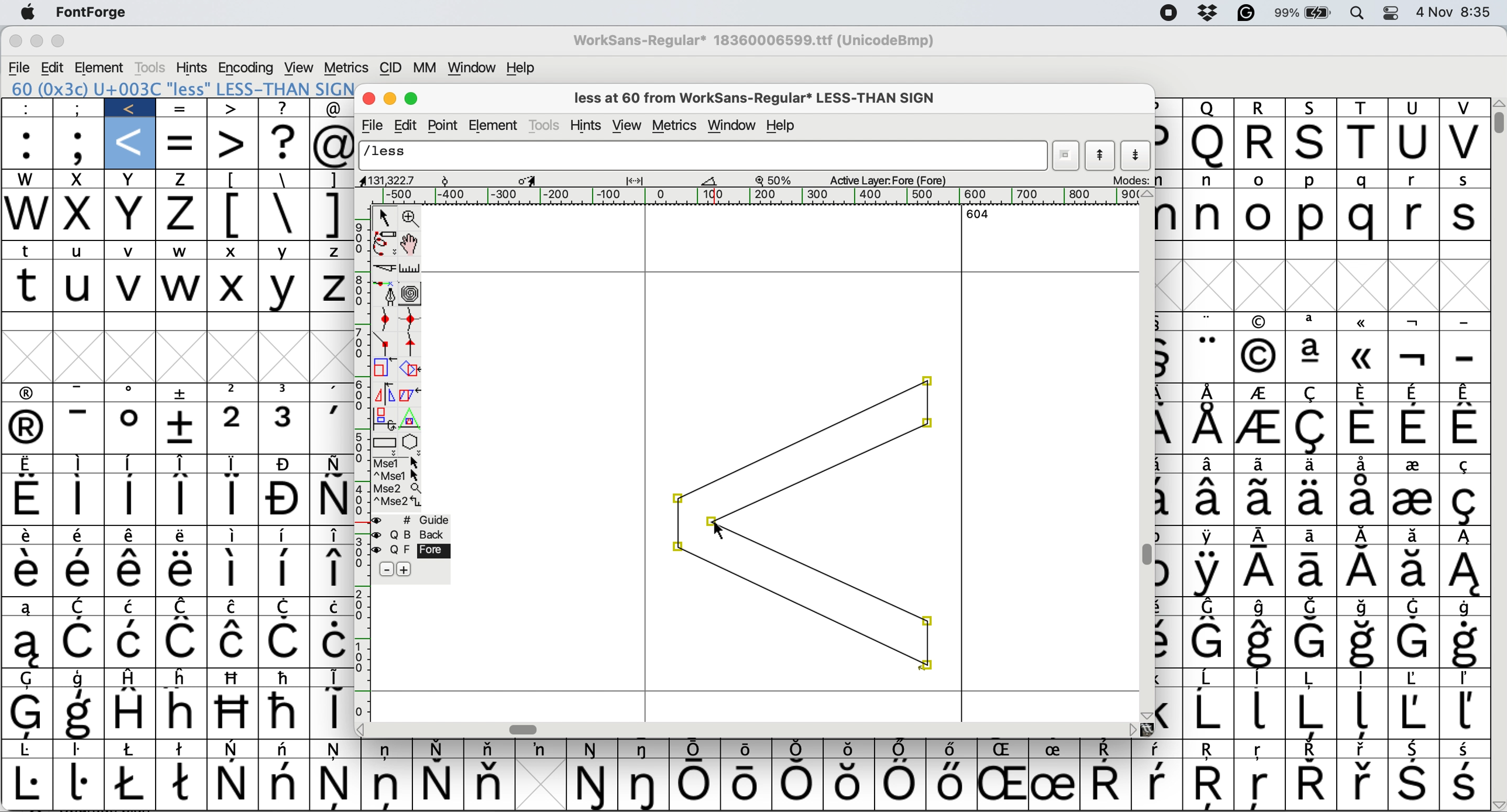 This screenshot has width=1507, height=812. What do you see at coordinates (184, 607) in the screenshot?
I see `Symbol` at bounding box center [184, 607].